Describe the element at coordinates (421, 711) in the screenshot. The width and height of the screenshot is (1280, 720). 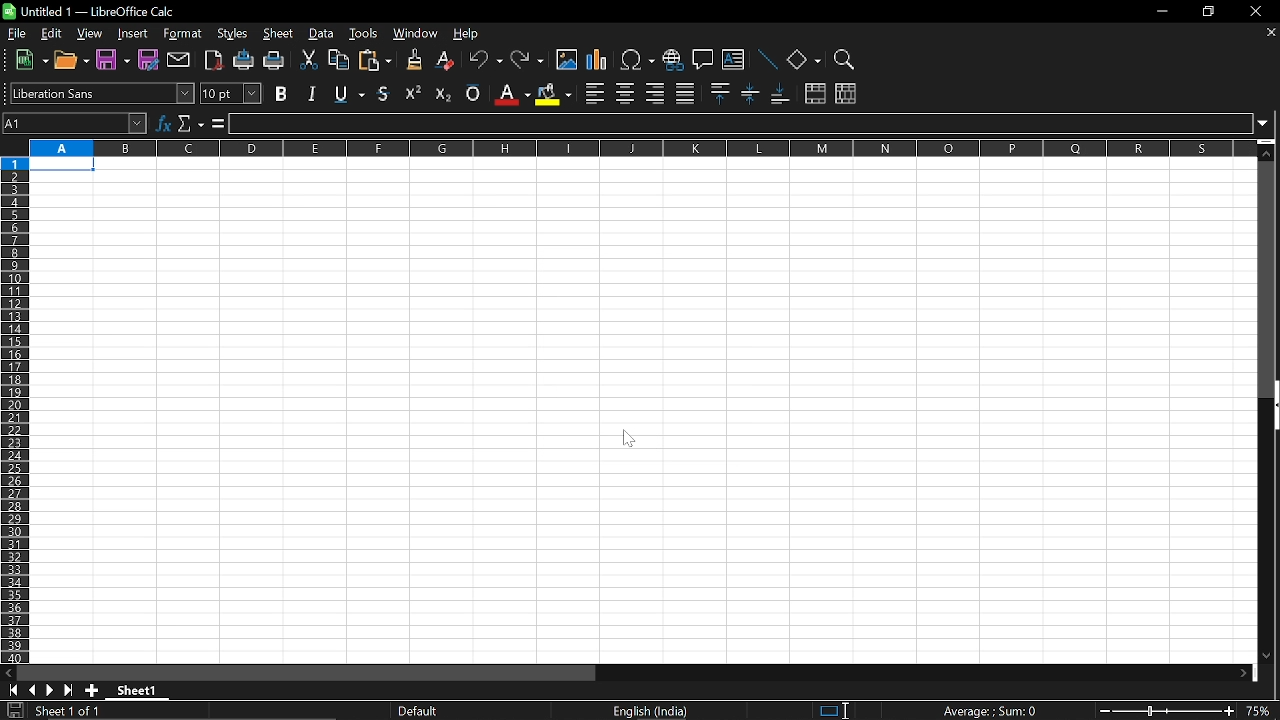
I see `sheet style` at that location.